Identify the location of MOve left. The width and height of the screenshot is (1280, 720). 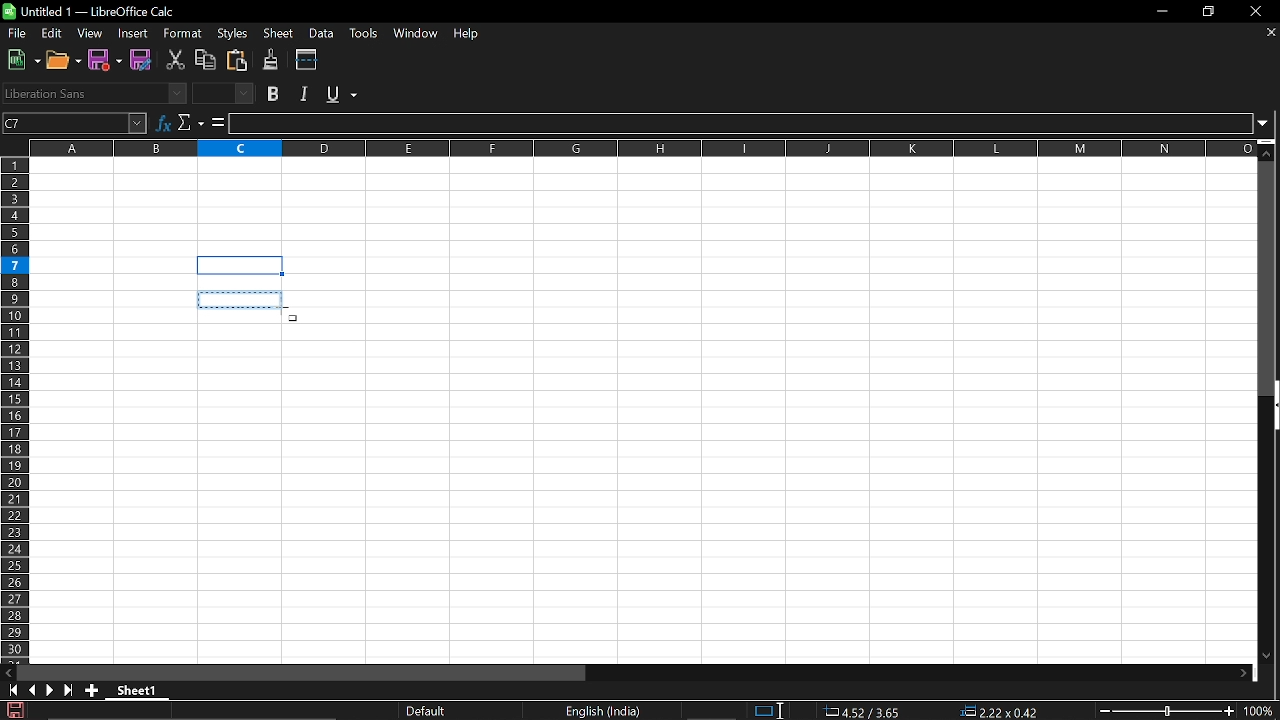
(8, 673).